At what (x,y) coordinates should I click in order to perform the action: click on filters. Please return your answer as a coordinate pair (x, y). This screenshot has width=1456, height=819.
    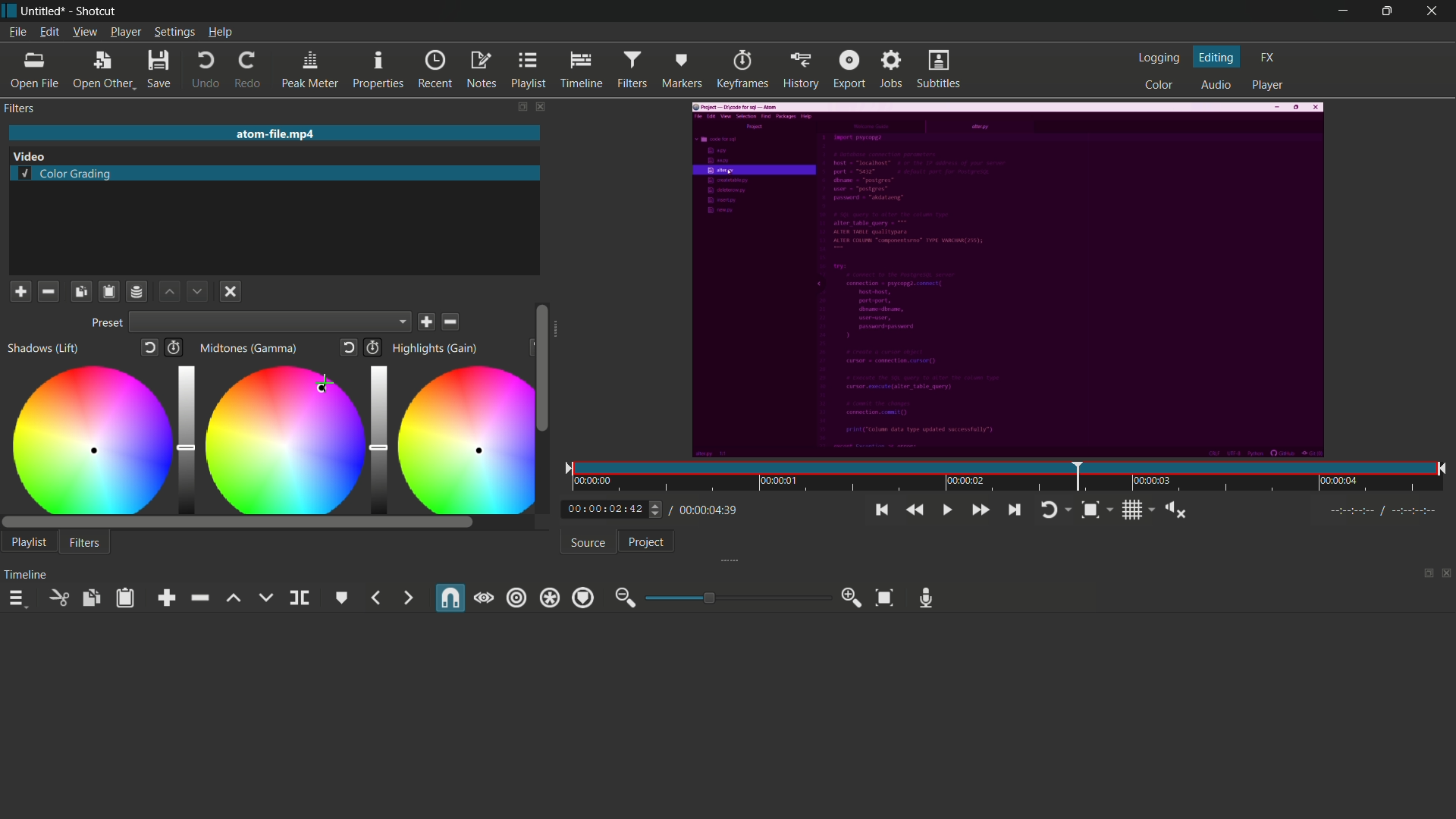
    Looking at the image, I should click on (85, 544).